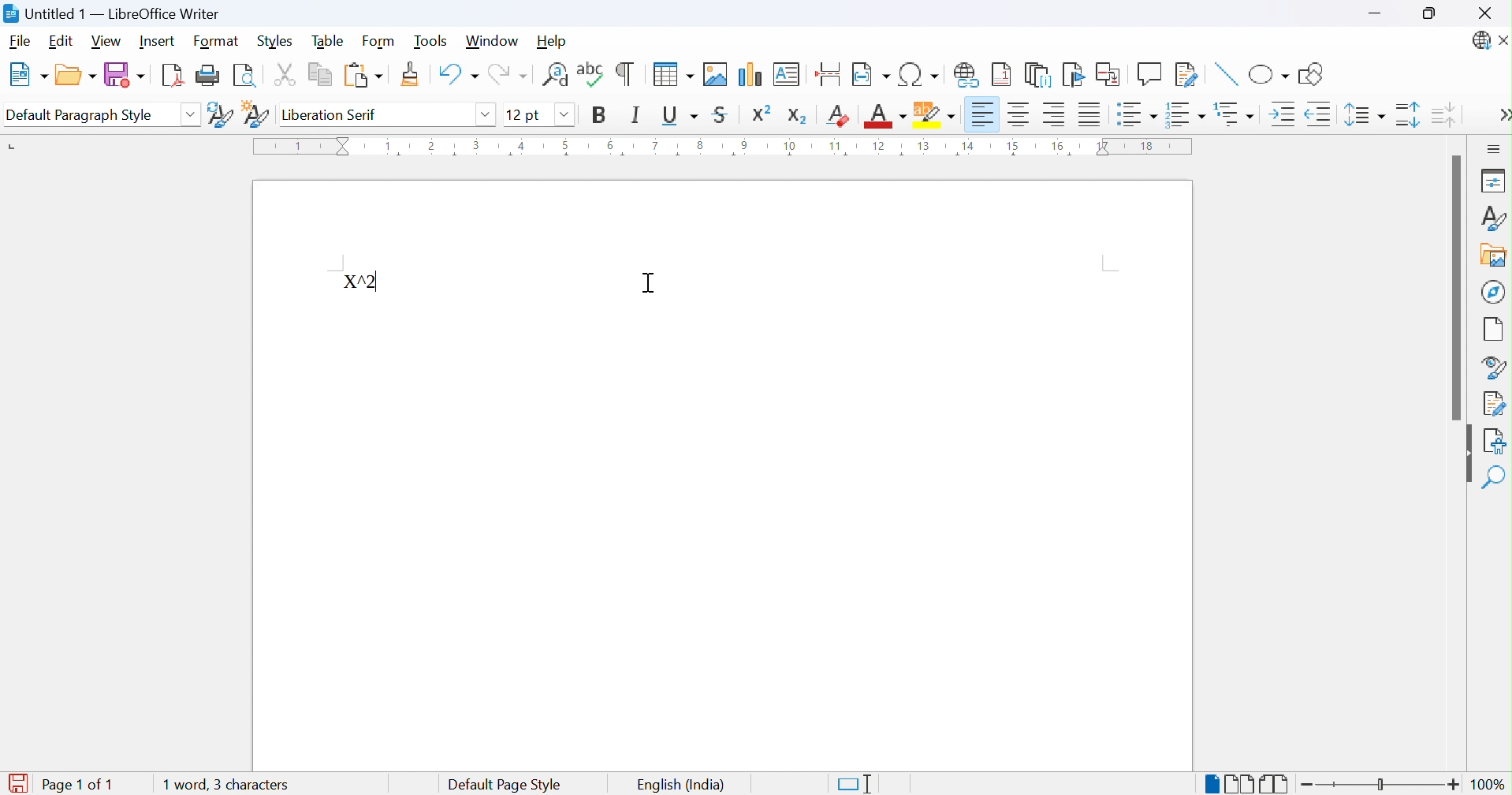 The height and width of the screenshot is (795, 1512). Describe the element at coordinates (920, 74) in the screenshot. I see `Insert special characters` at that location.